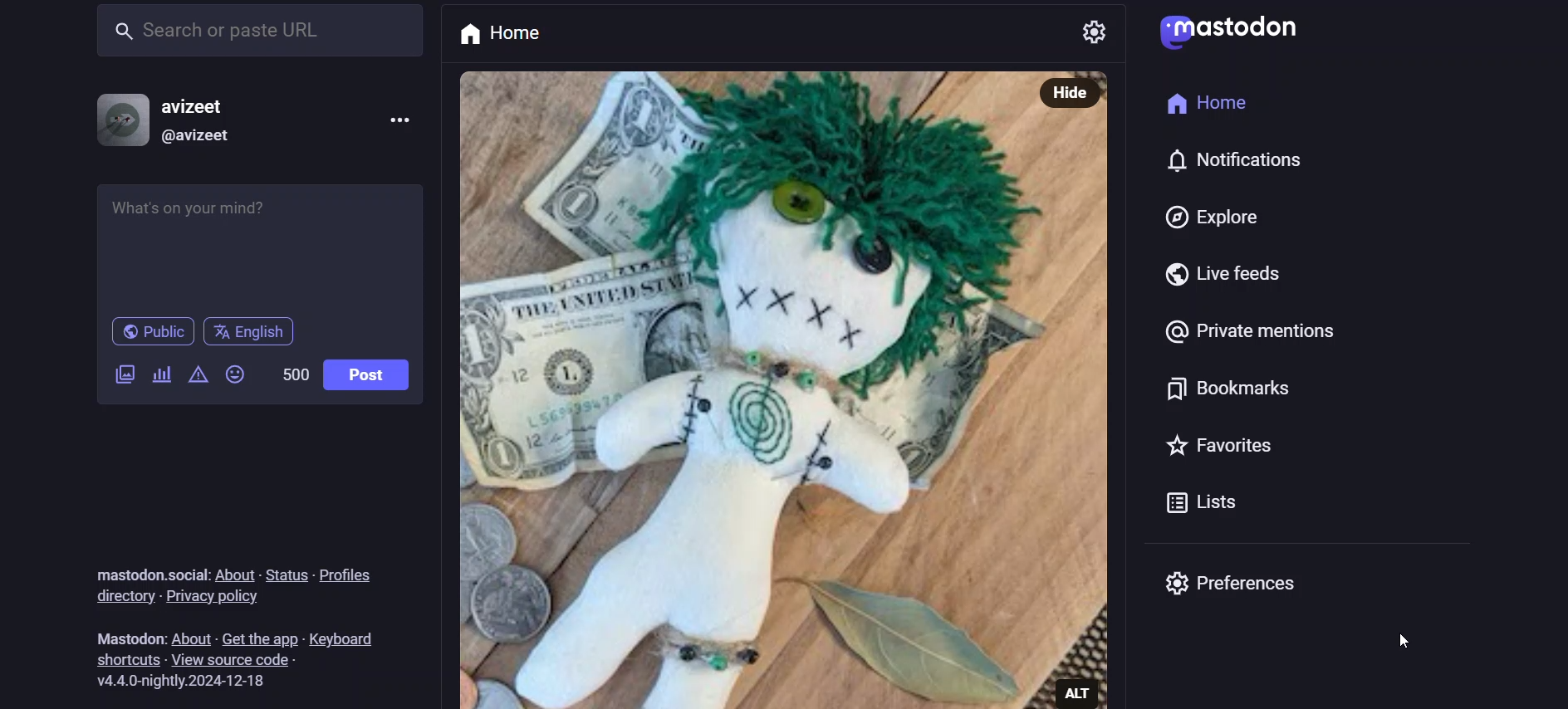 The image size is (1568, 709). Describe the element at coordinates (261, 638) in the screenshot. I see `Get the app` at that location.